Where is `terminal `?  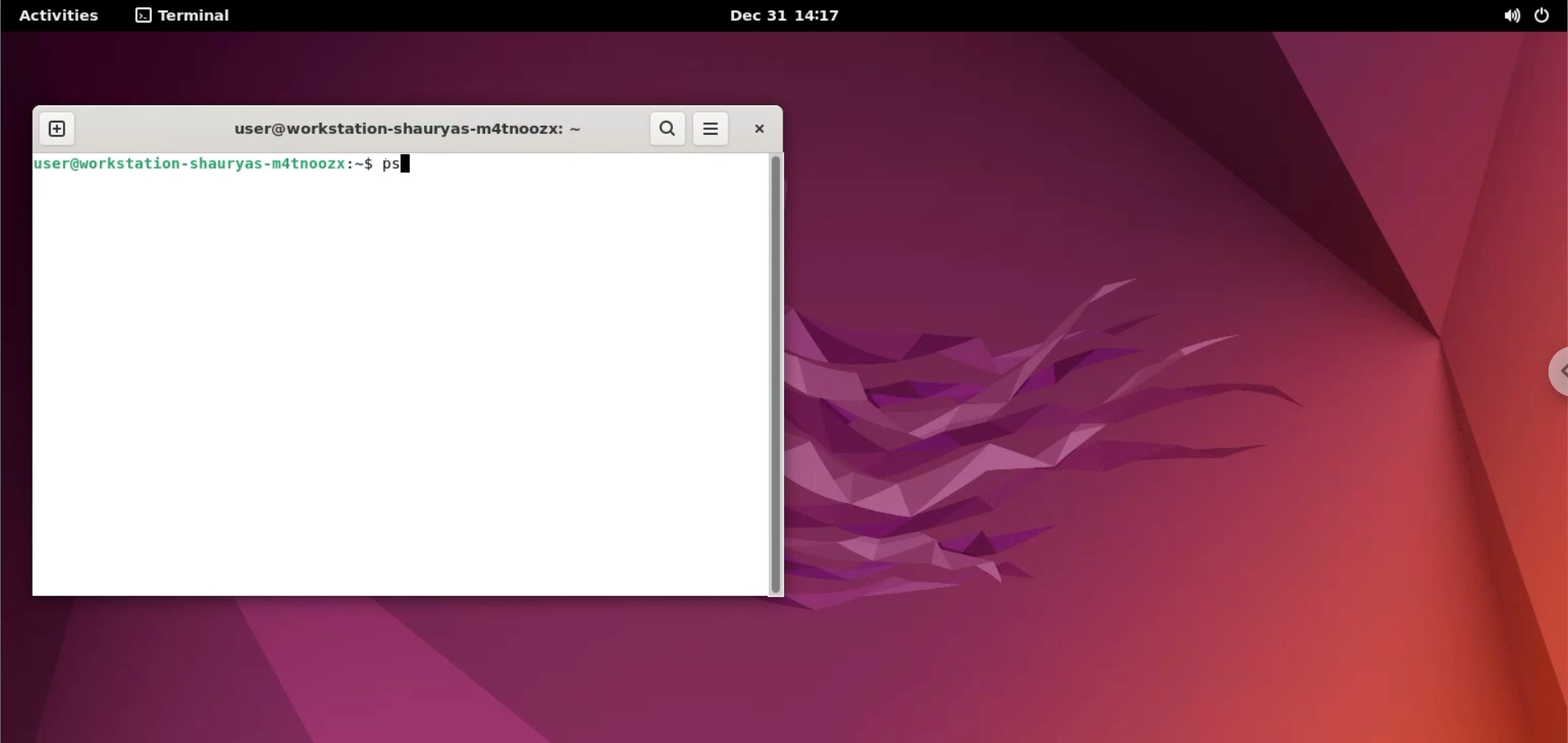 terminal  is located at coordinates (185, 16).